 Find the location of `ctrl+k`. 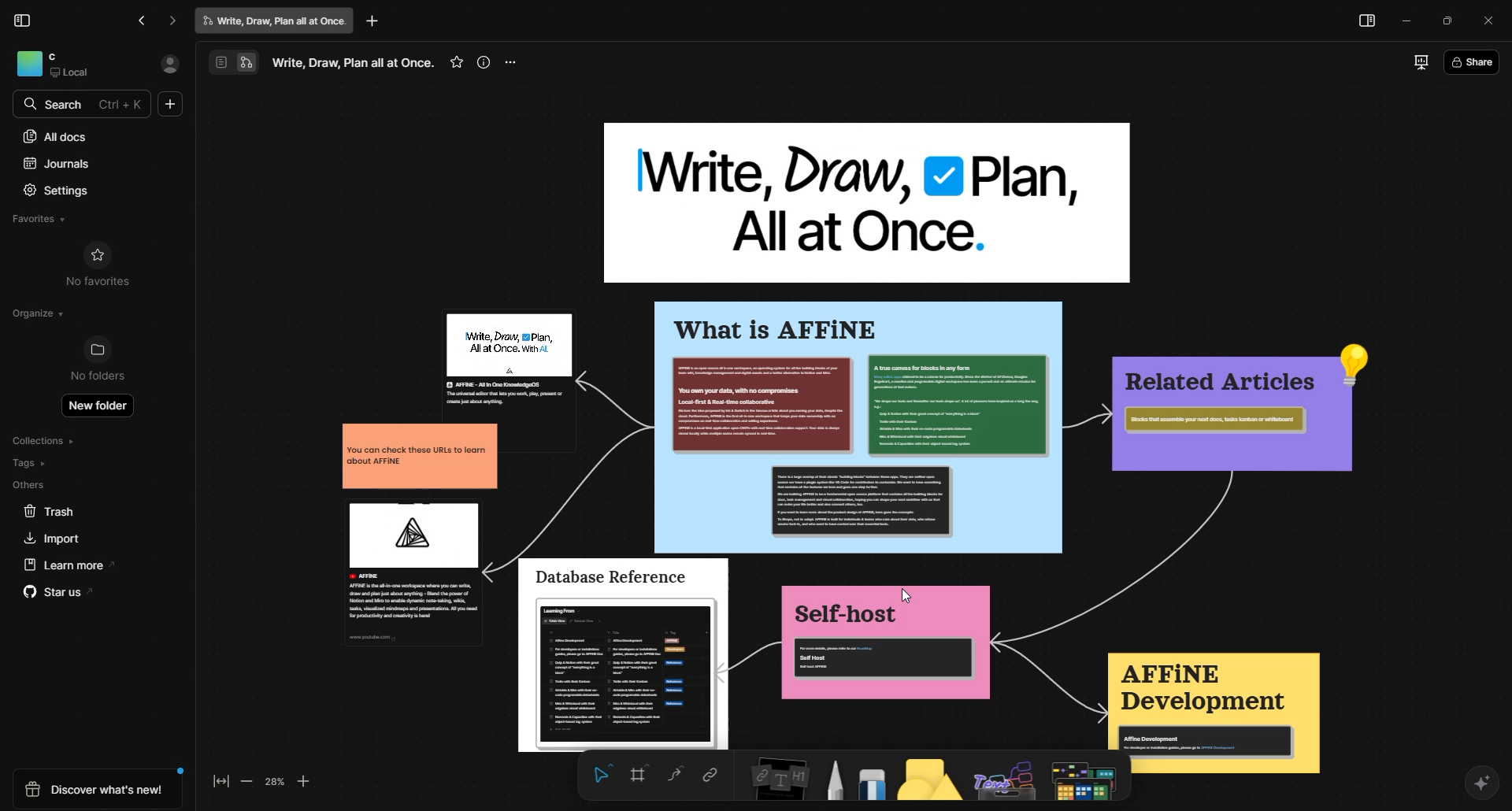

ctrl+k is located at coordinates (123, 104).